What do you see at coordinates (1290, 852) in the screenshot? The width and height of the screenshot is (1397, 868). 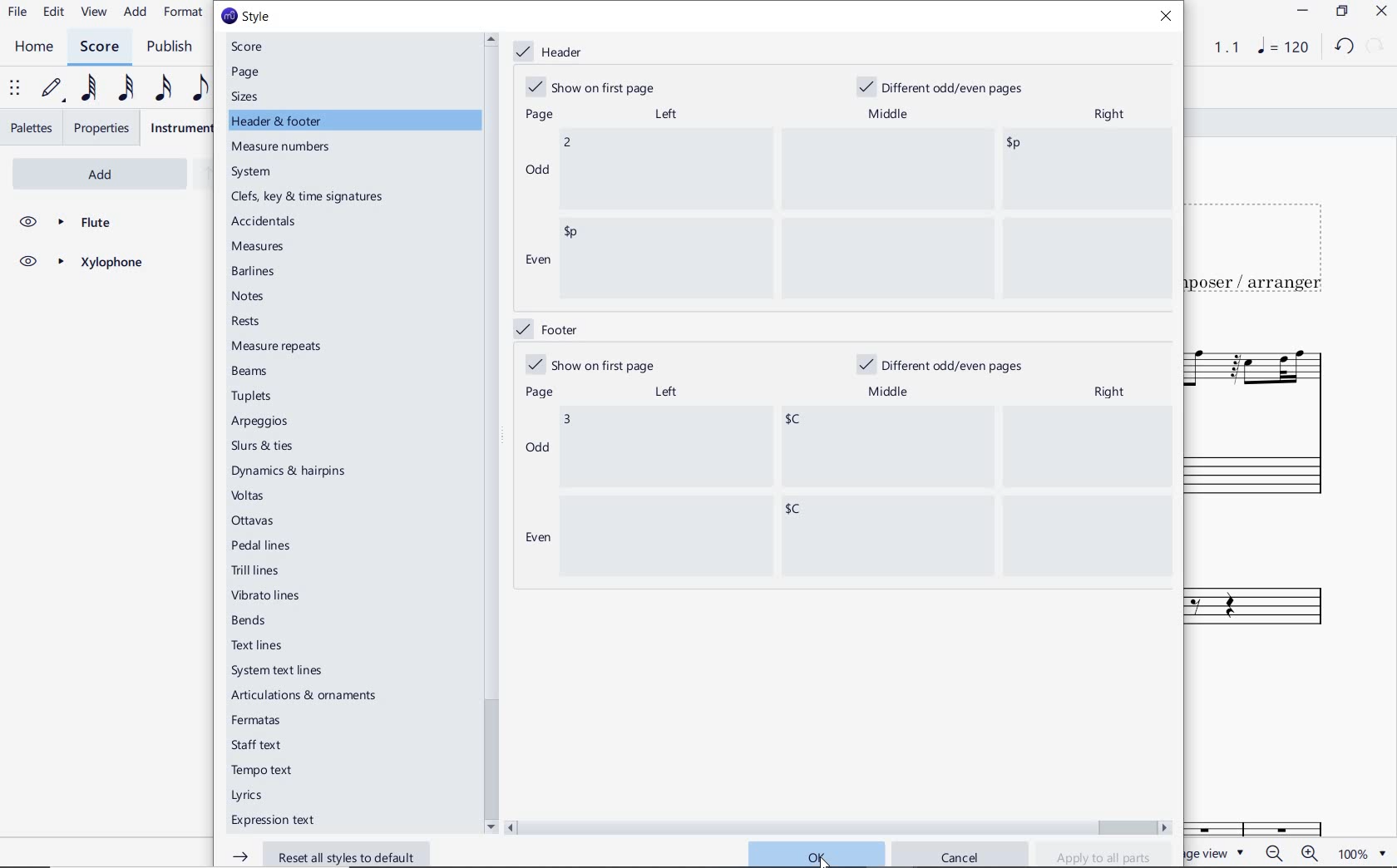 I see `zoom in or zoom out` at bounding box center [1290, 852].